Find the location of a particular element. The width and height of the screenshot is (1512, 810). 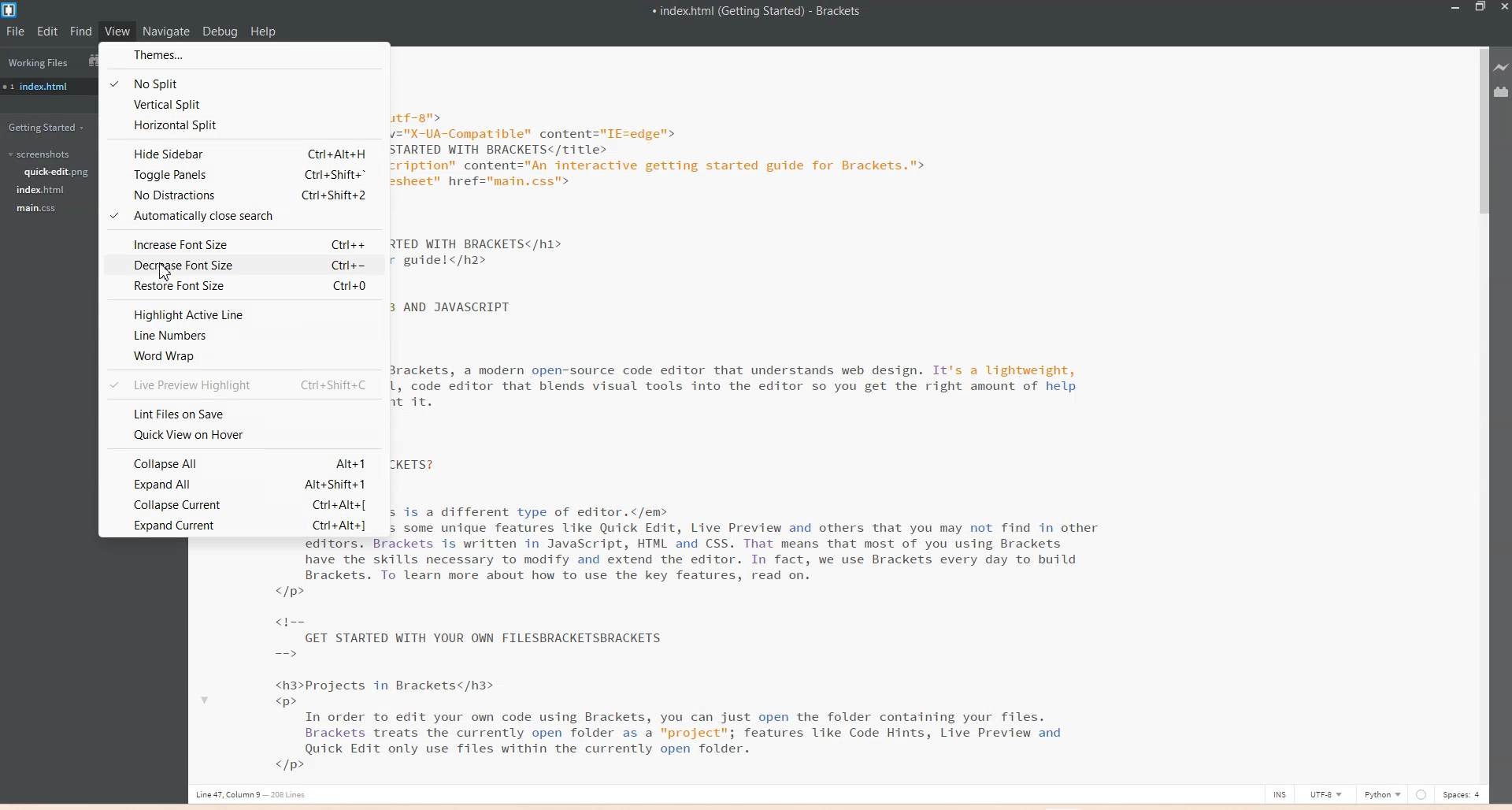

Expand All is located at coordinates (243, 483).